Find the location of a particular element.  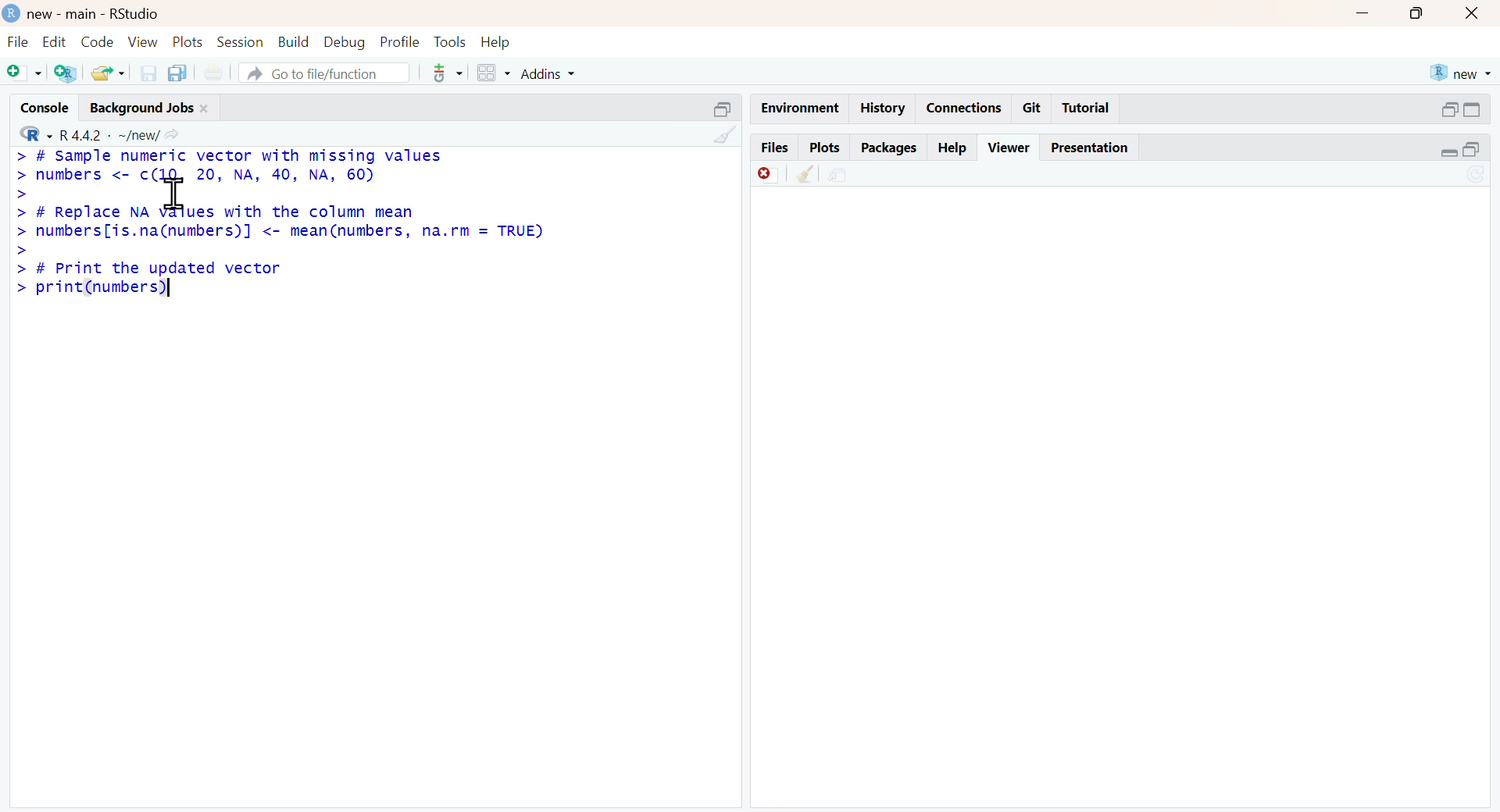

close is located at coordinates (205, 109).